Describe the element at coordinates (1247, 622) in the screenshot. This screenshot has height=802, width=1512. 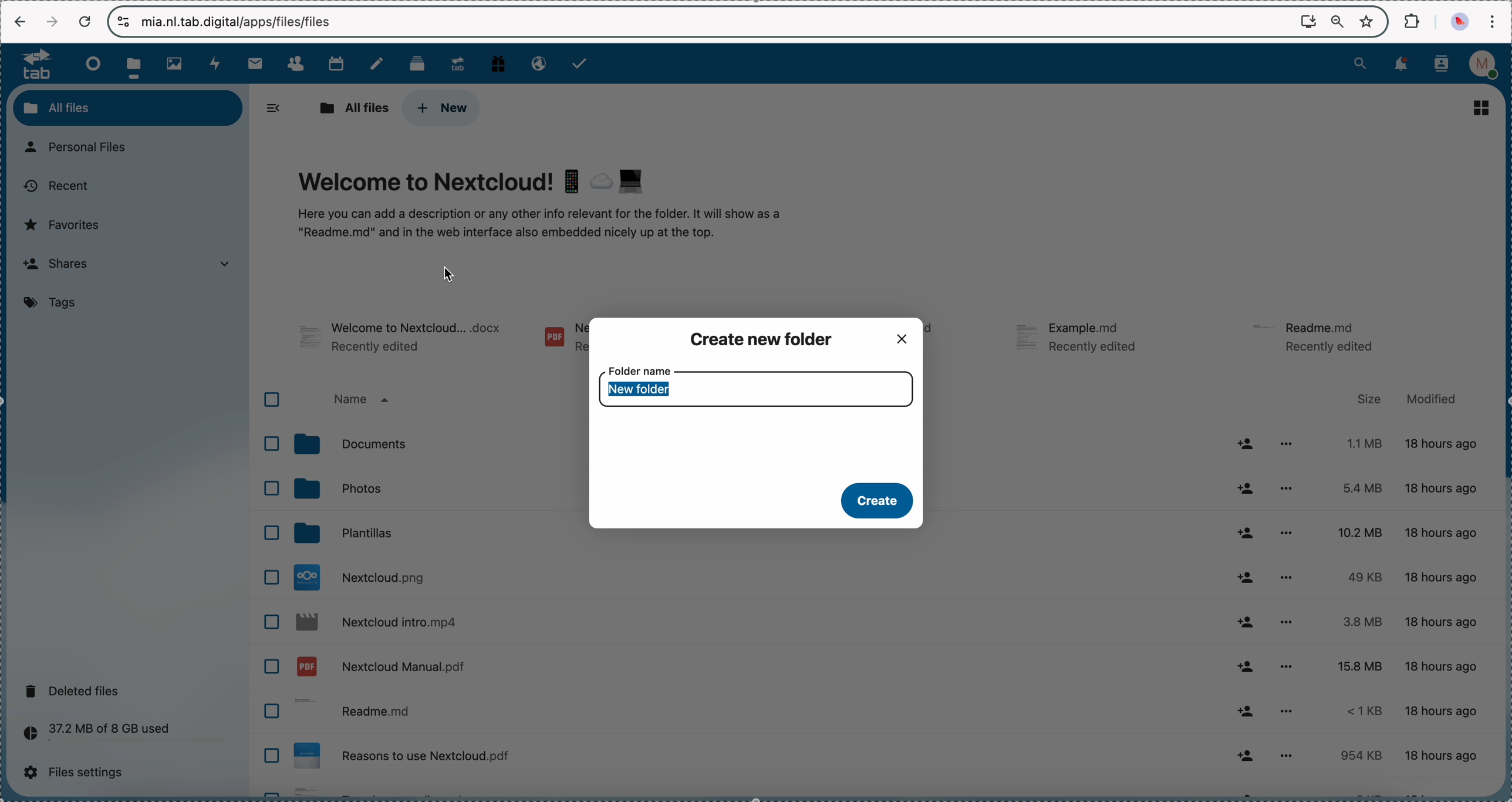
I see `share` at that location.